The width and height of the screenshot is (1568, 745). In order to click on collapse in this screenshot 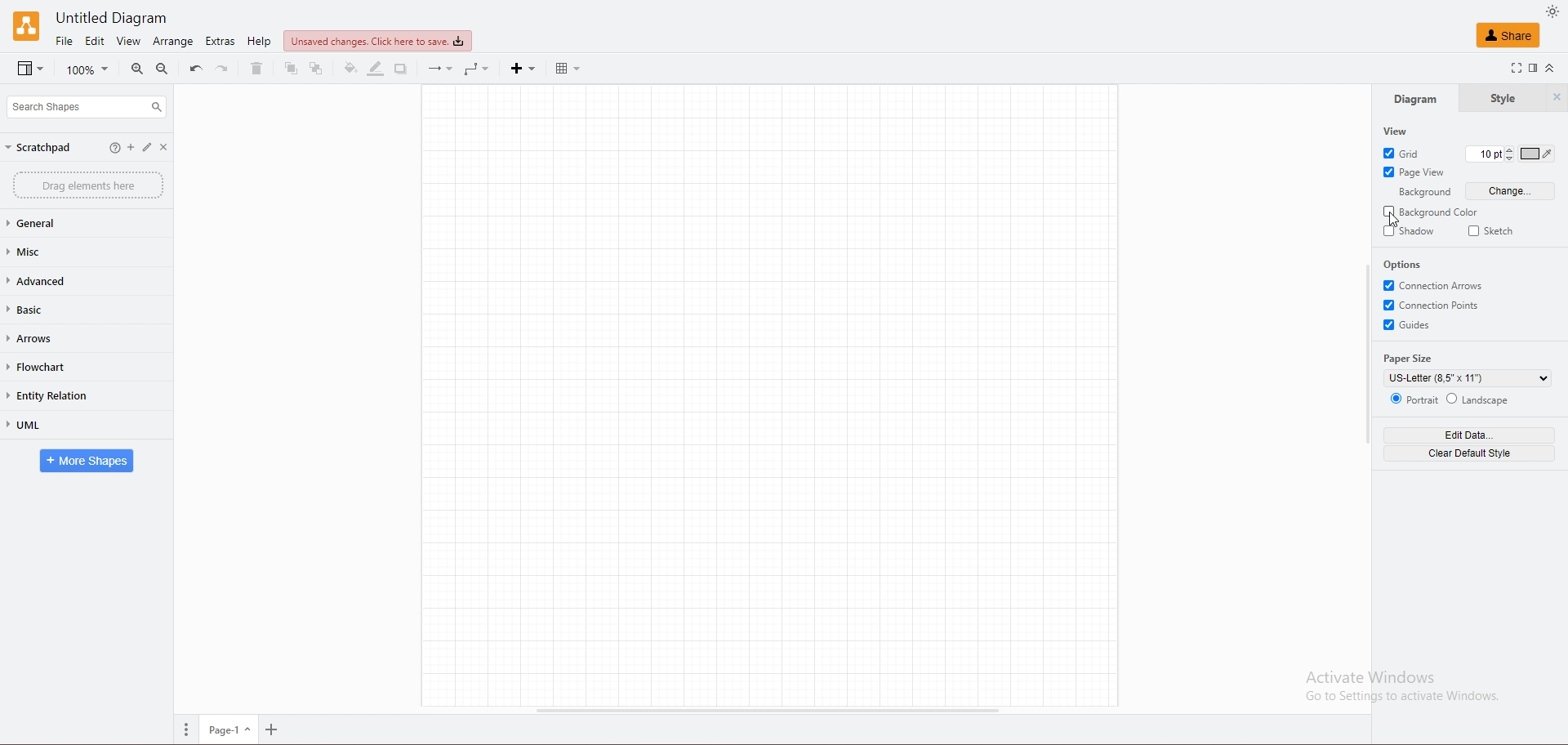, I will do `click(1555, 68)`.